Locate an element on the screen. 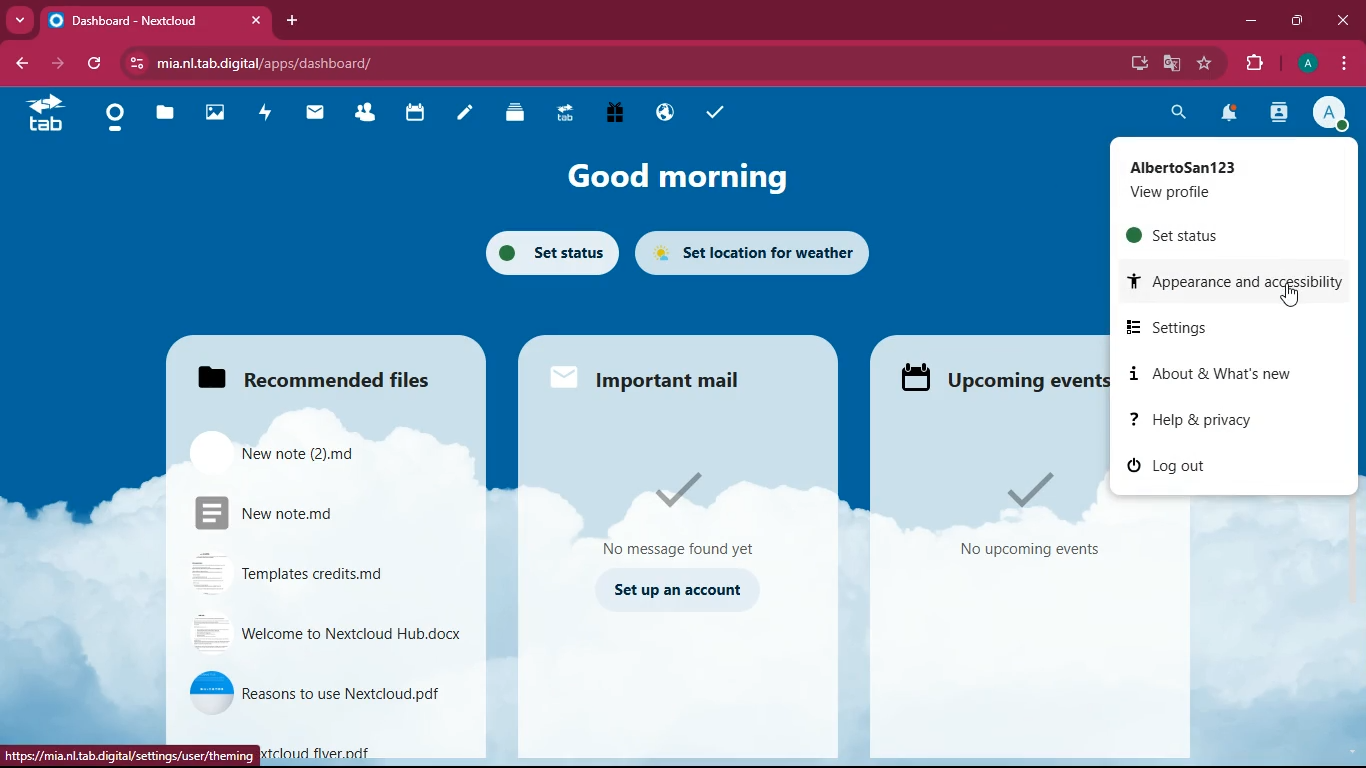  search is located at coordinates (1177, 112).